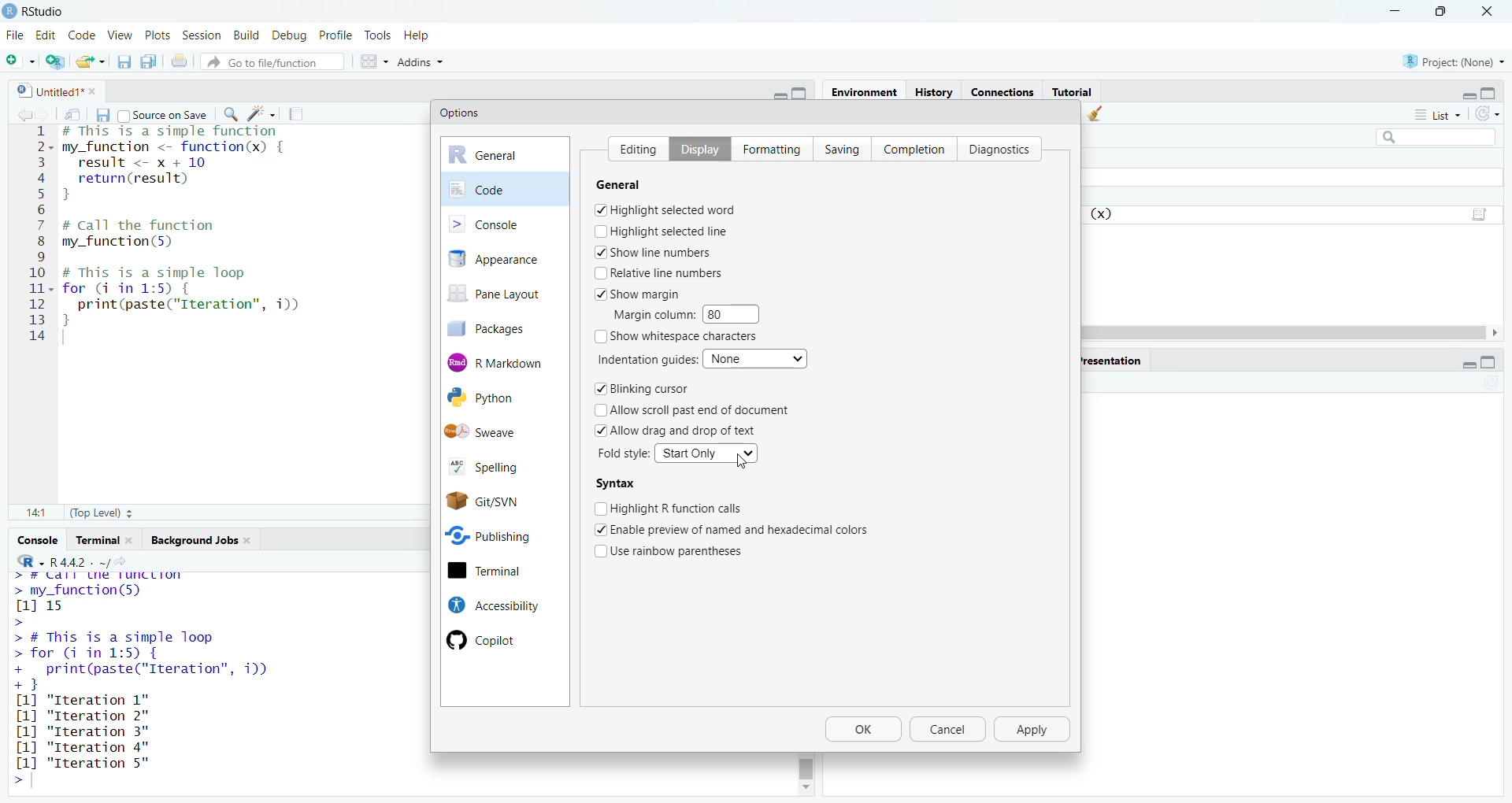 The height and width of the screenshot is (803, 1512). What do you see at coordinates (807, 766) in the screenshot?
I see `scrollbar` at bounding box center [807, 766].